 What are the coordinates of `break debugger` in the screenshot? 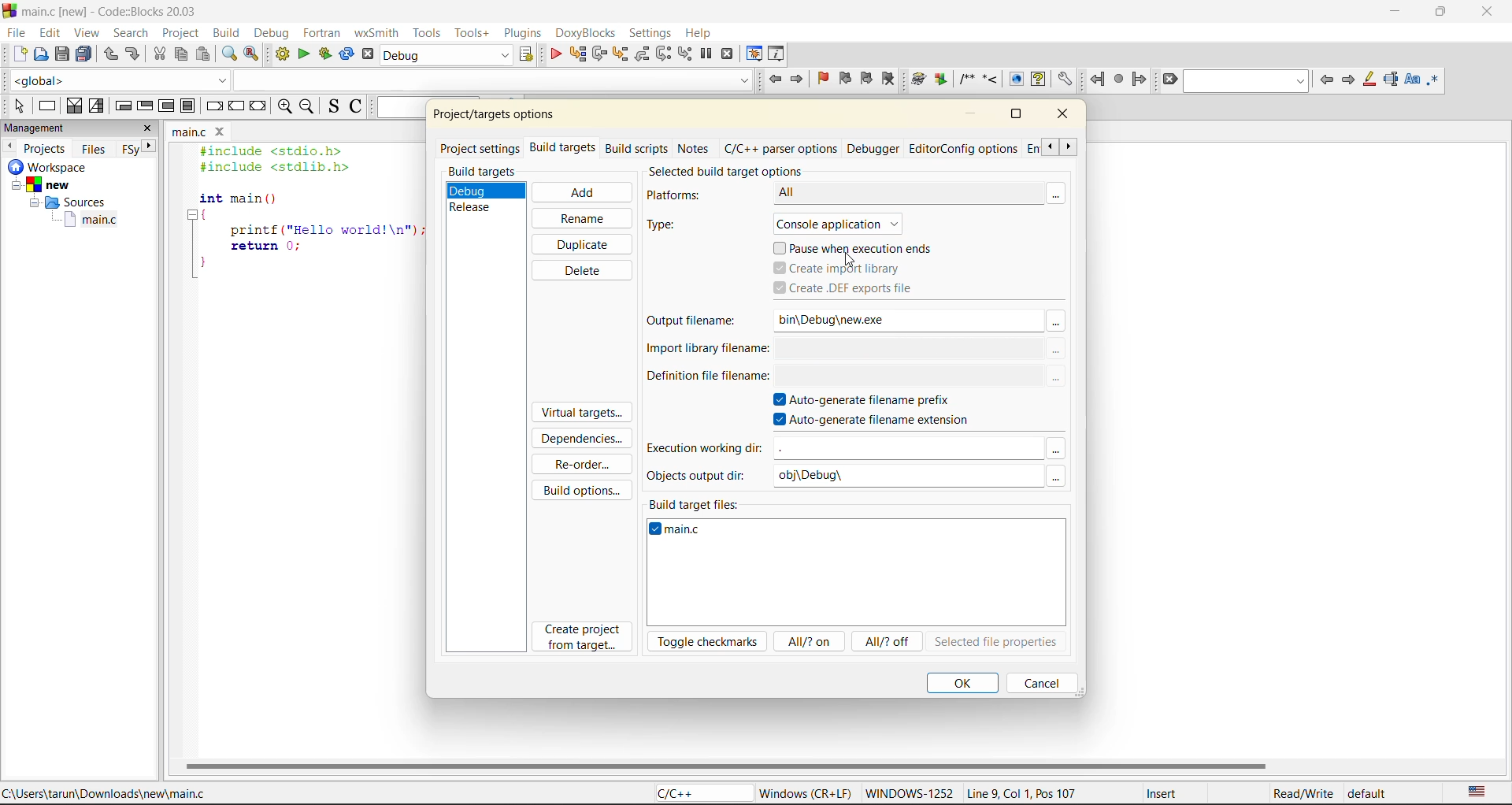 It's located at (707, 54).